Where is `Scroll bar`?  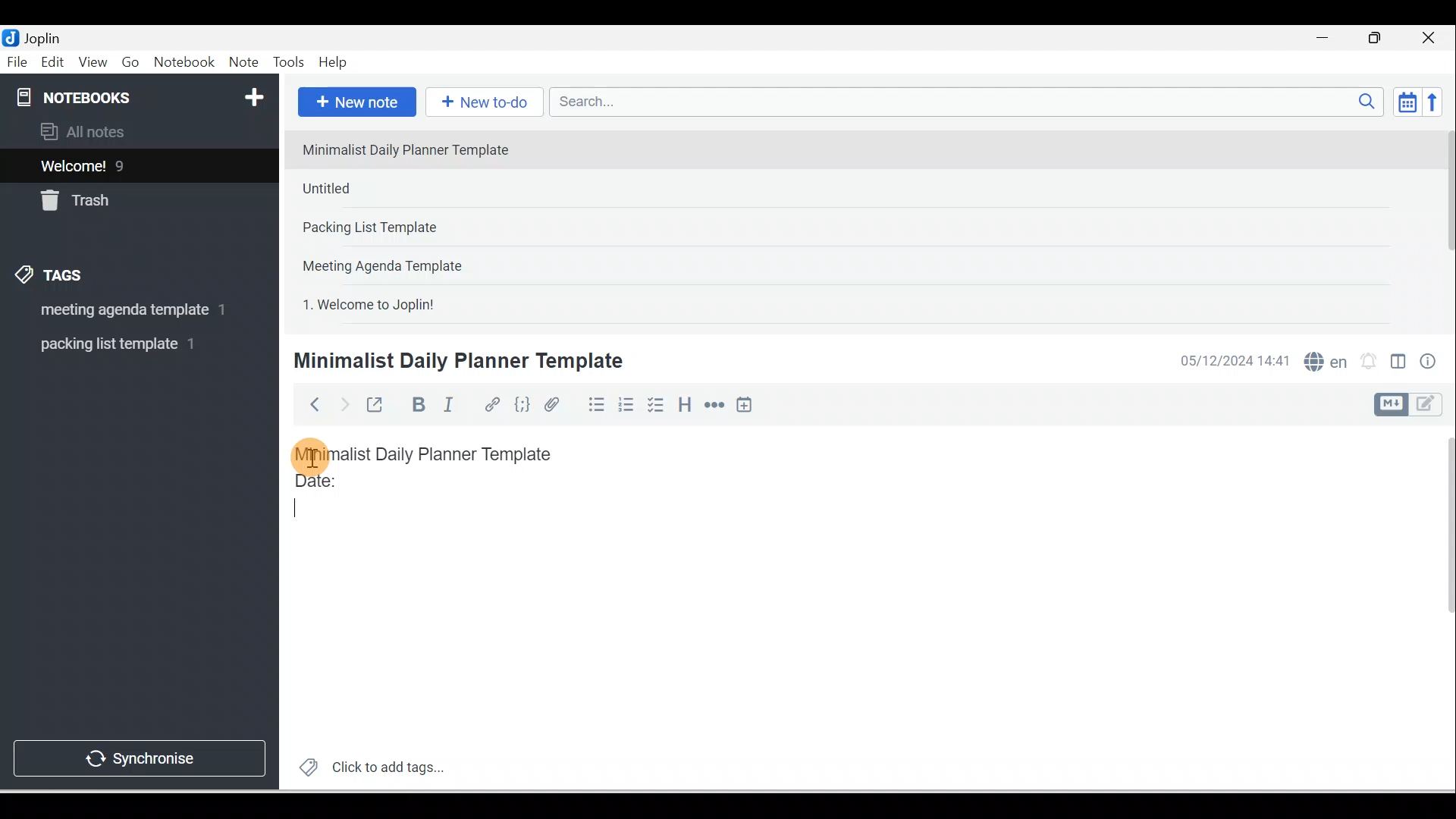
Scroll bar is located at coordinates (1439, 608).